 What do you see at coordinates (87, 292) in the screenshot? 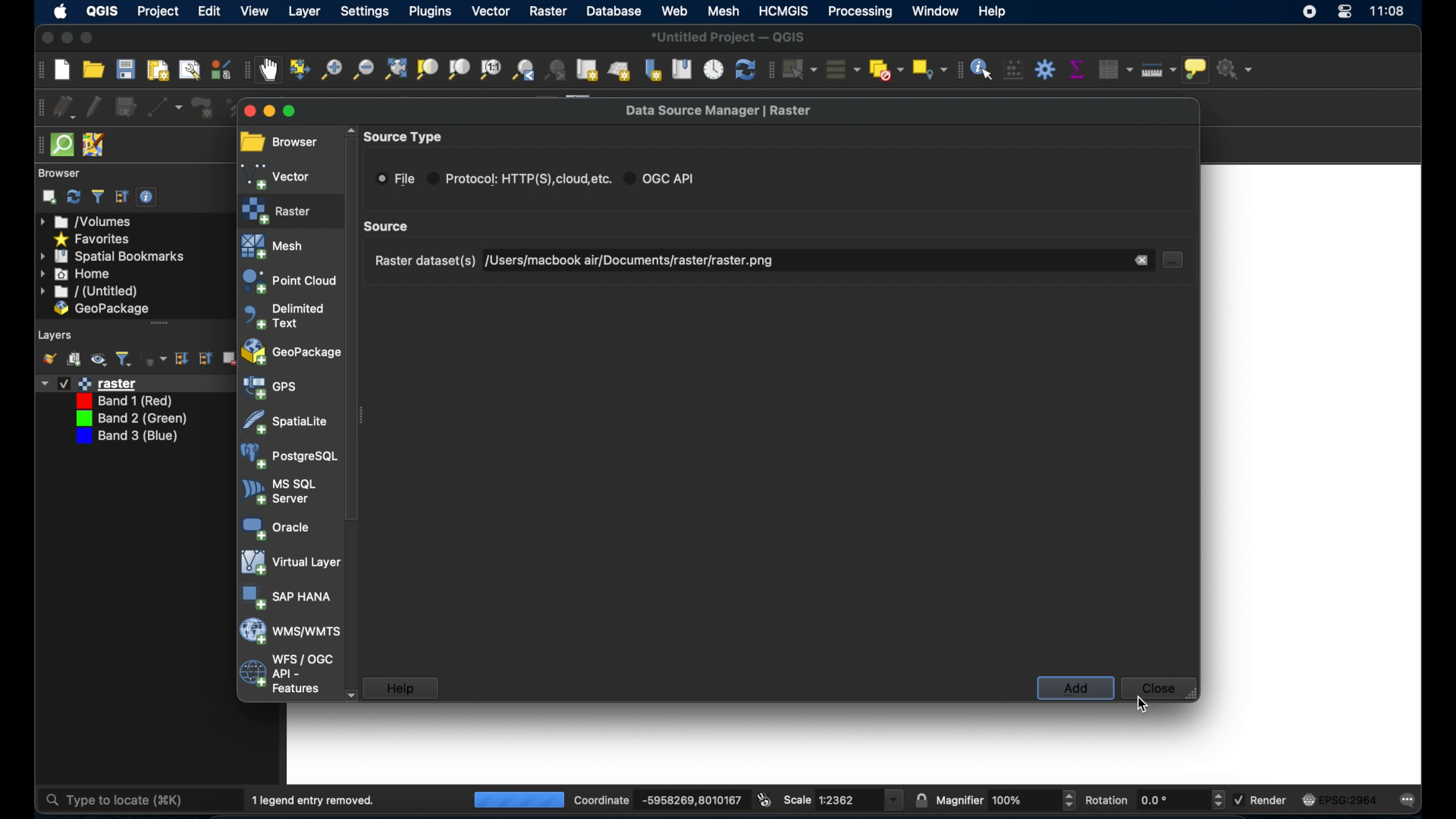
I see `untitled` at bounding box center [87, 292].